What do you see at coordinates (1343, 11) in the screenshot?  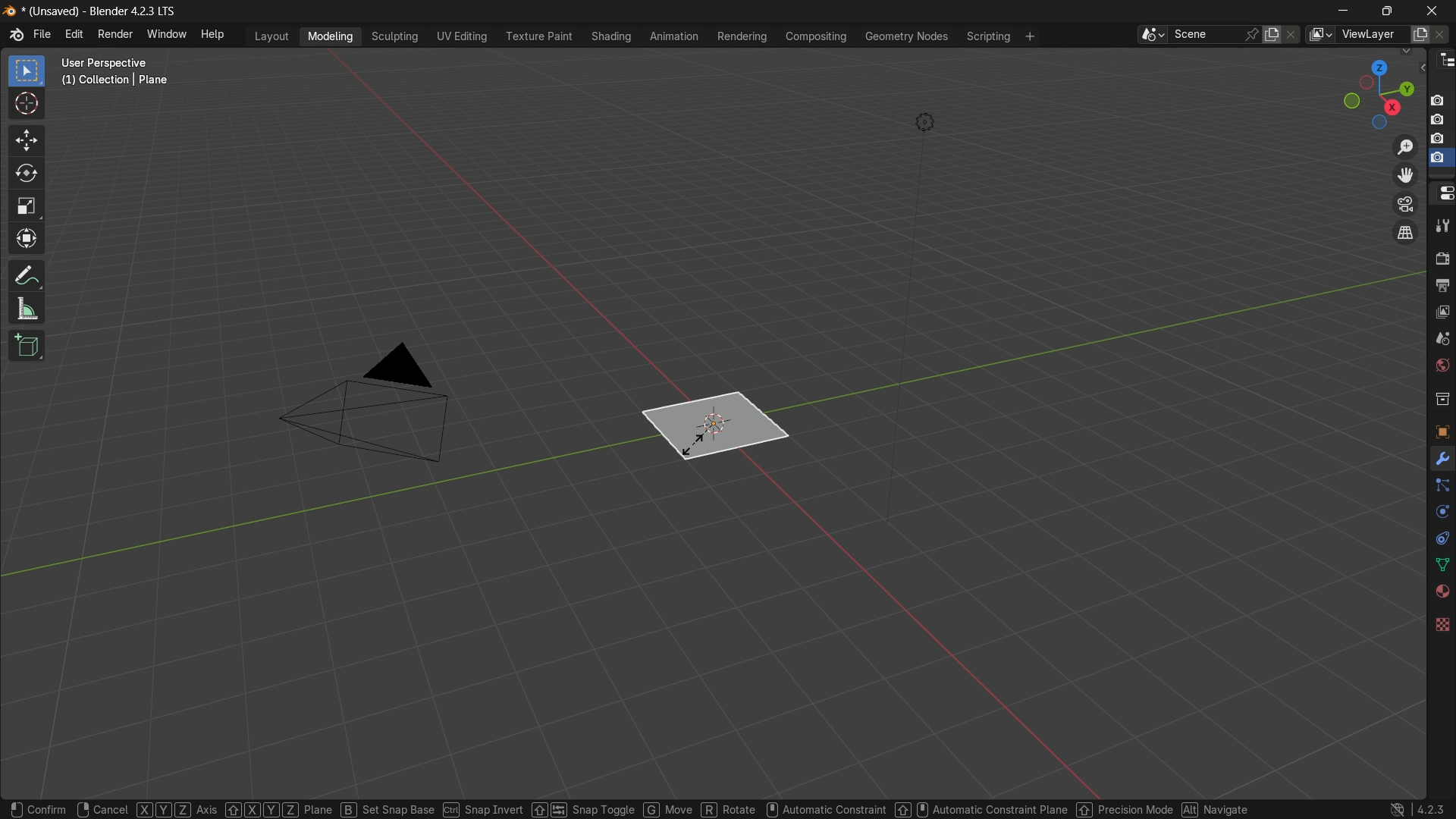 I see `minimize` at bounding box center [1343, 11].